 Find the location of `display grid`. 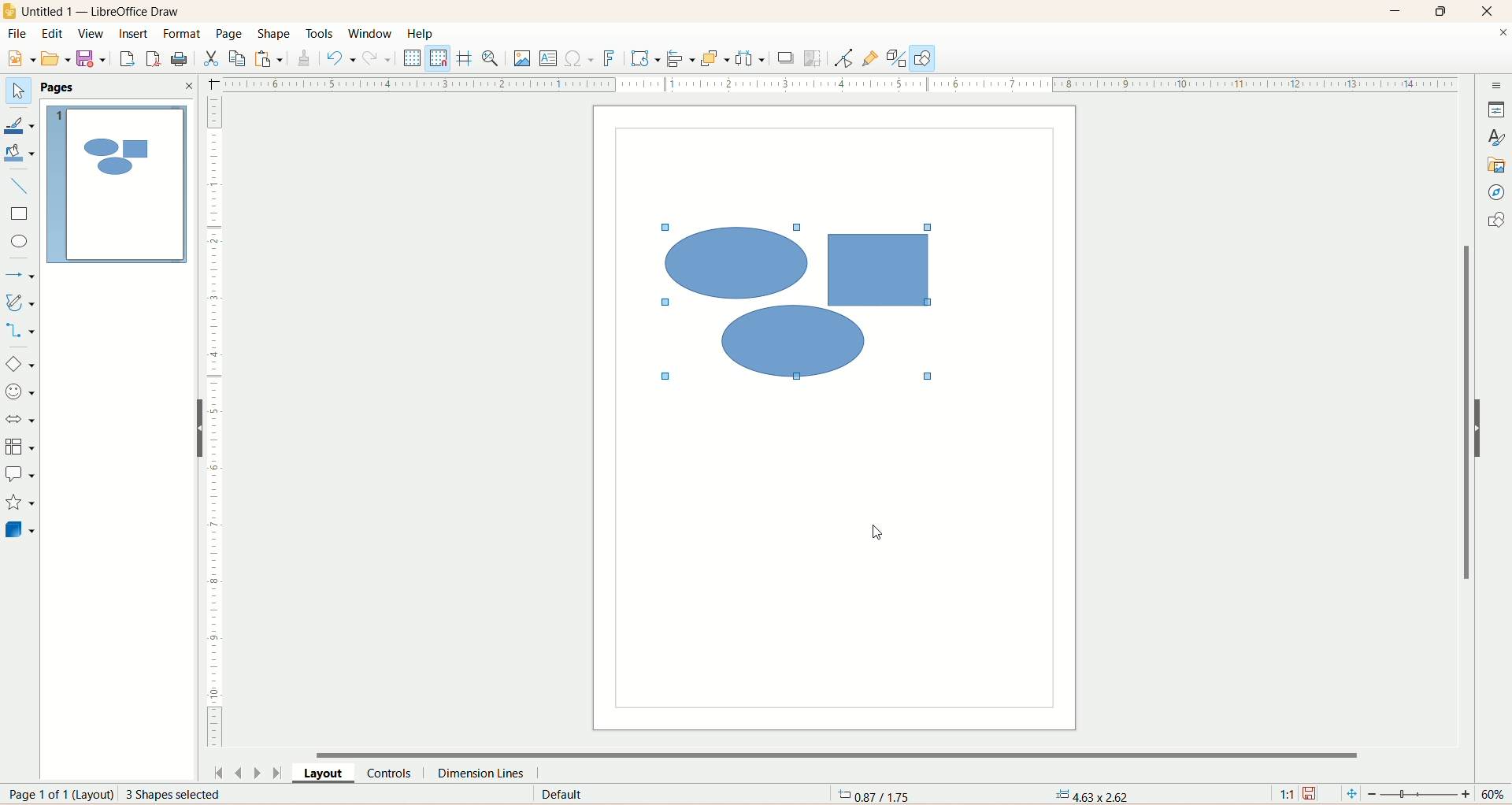

display grid is located at coordinates (413, 58).